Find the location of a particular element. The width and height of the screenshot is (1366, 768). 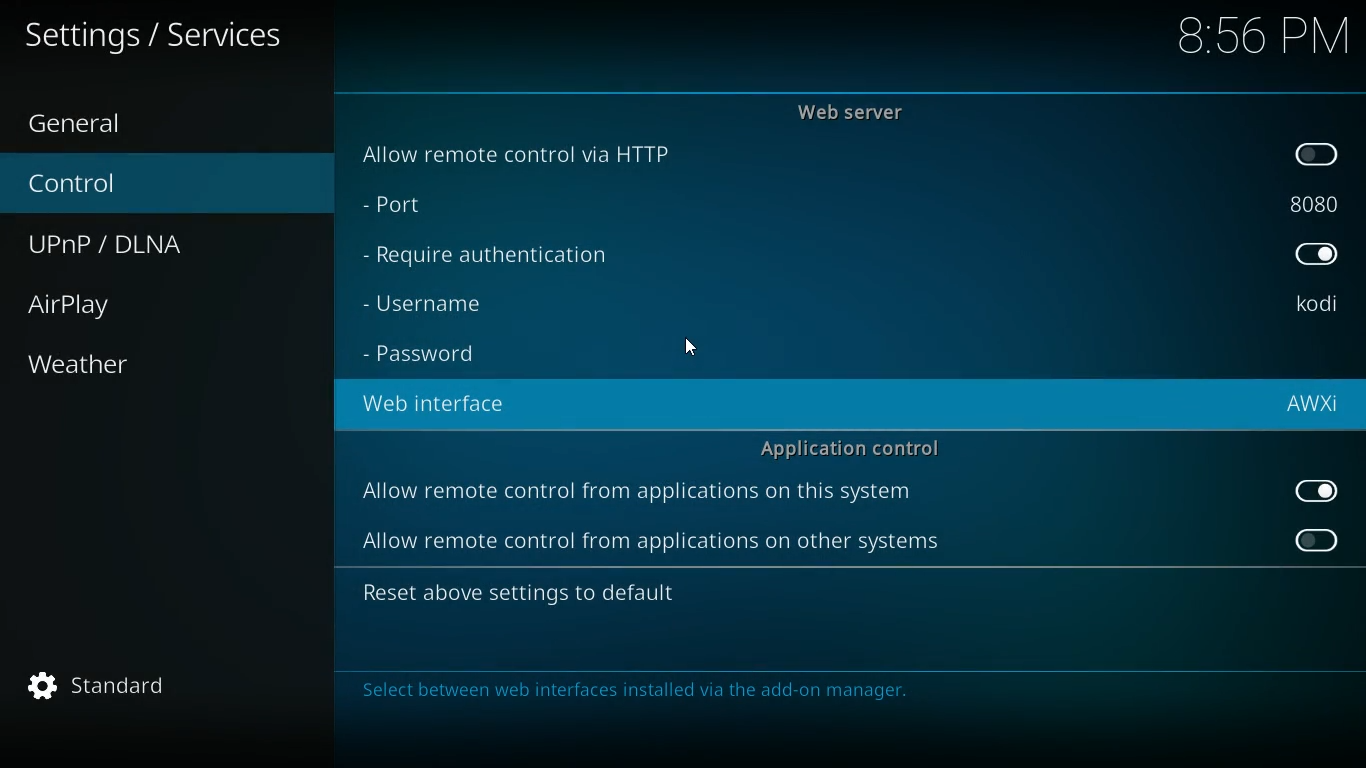

control is located at coordinates (96, 185).